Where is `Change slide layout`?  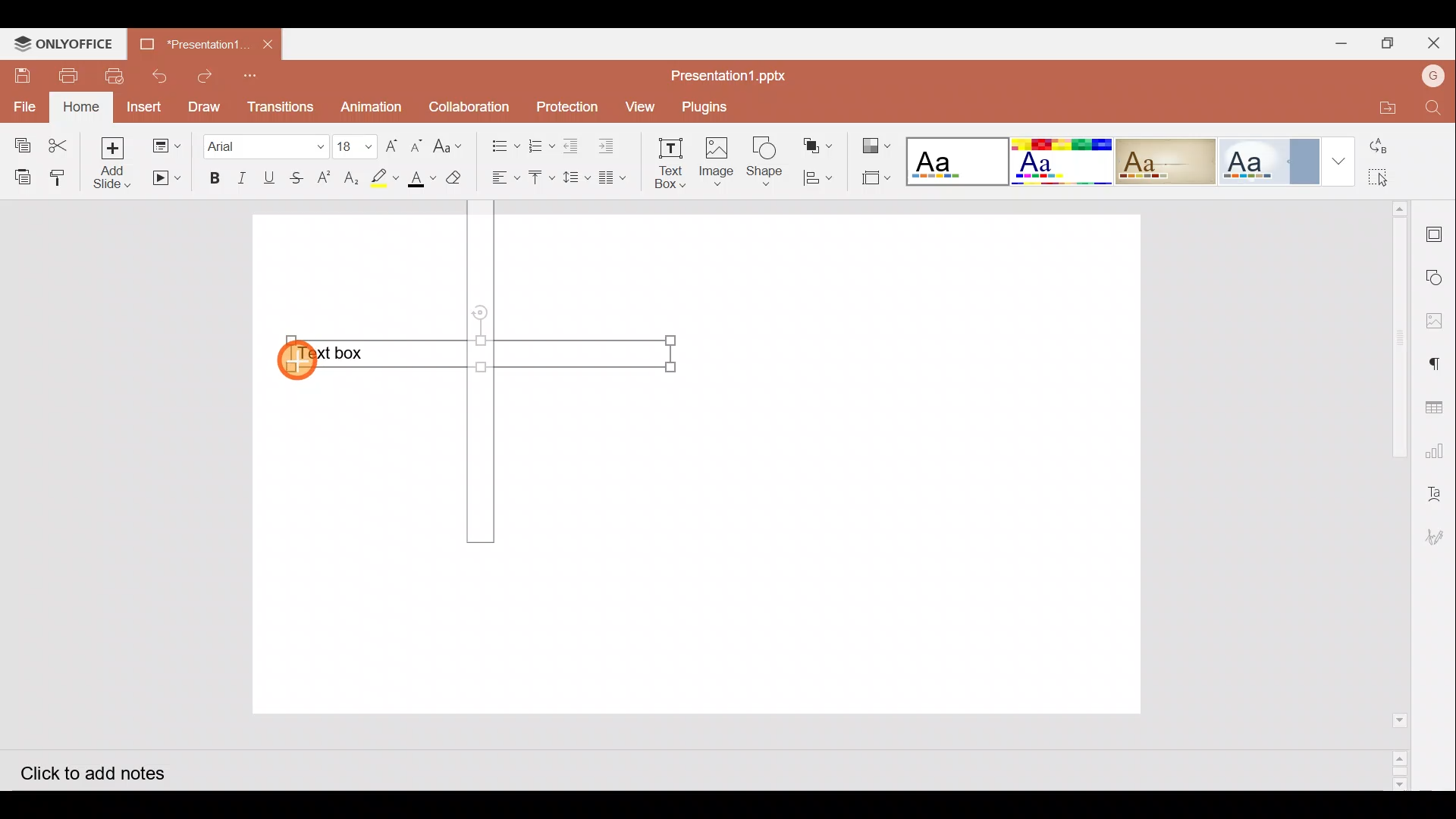
Change slide layout is located at coordinates (168, 143).